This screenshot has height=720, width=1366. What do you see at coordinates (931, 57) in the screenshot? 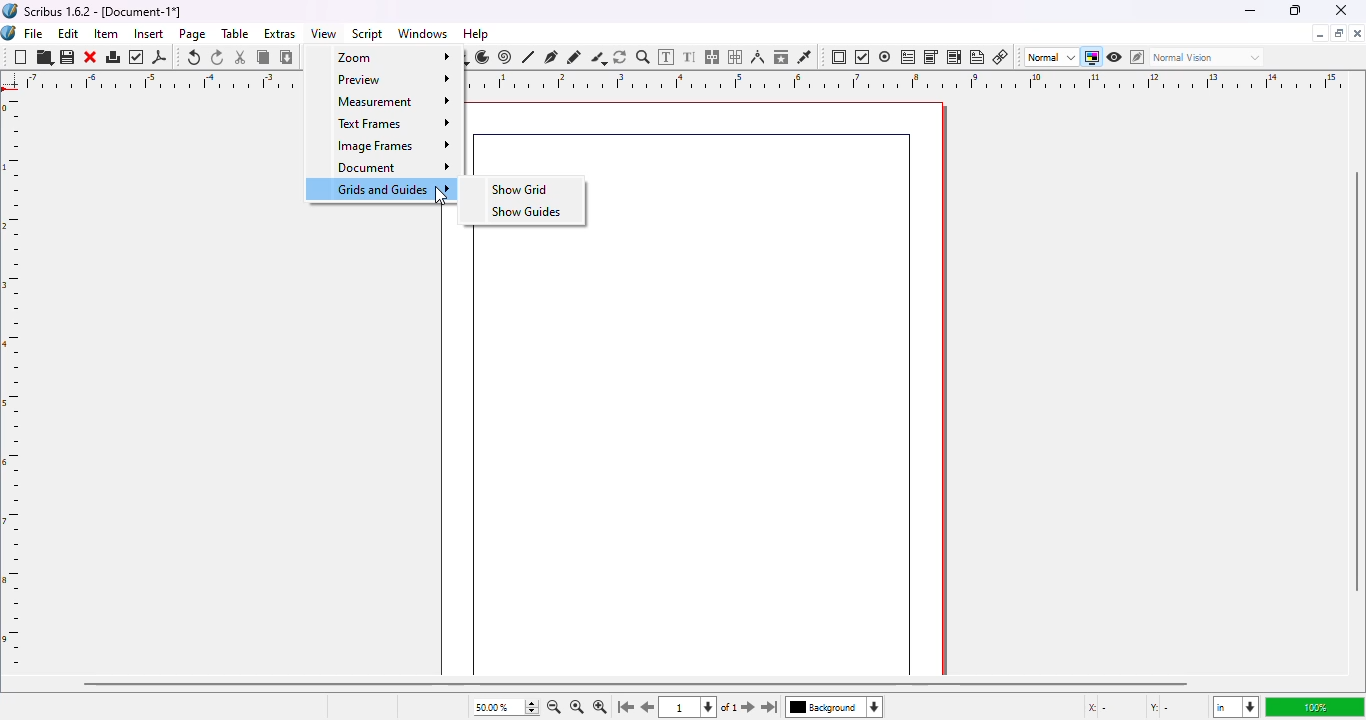
I see `PDF combo box` at bounding box center [931, 57].